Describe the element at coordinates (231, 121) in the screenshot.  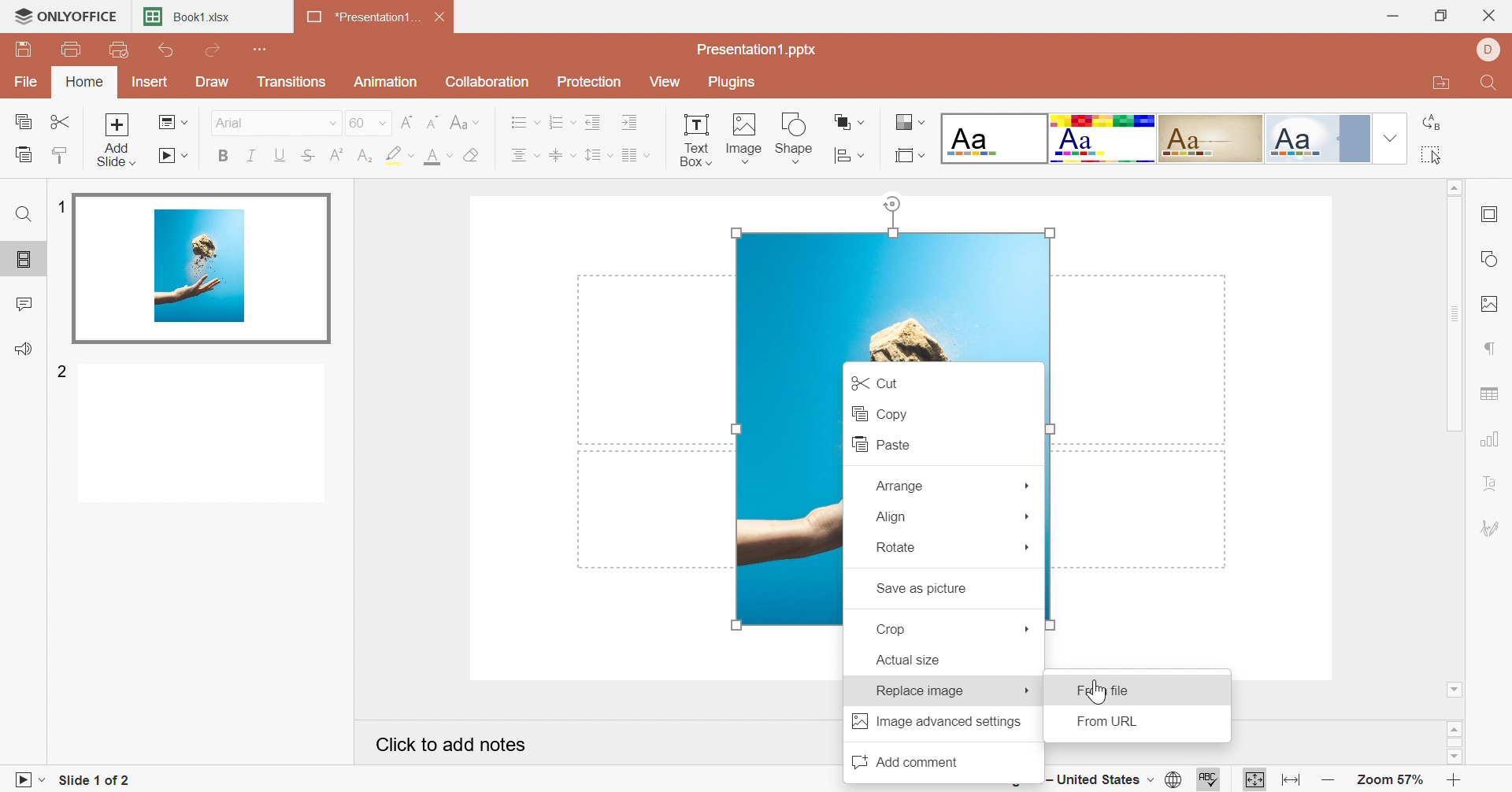
I see `Font` at that location.